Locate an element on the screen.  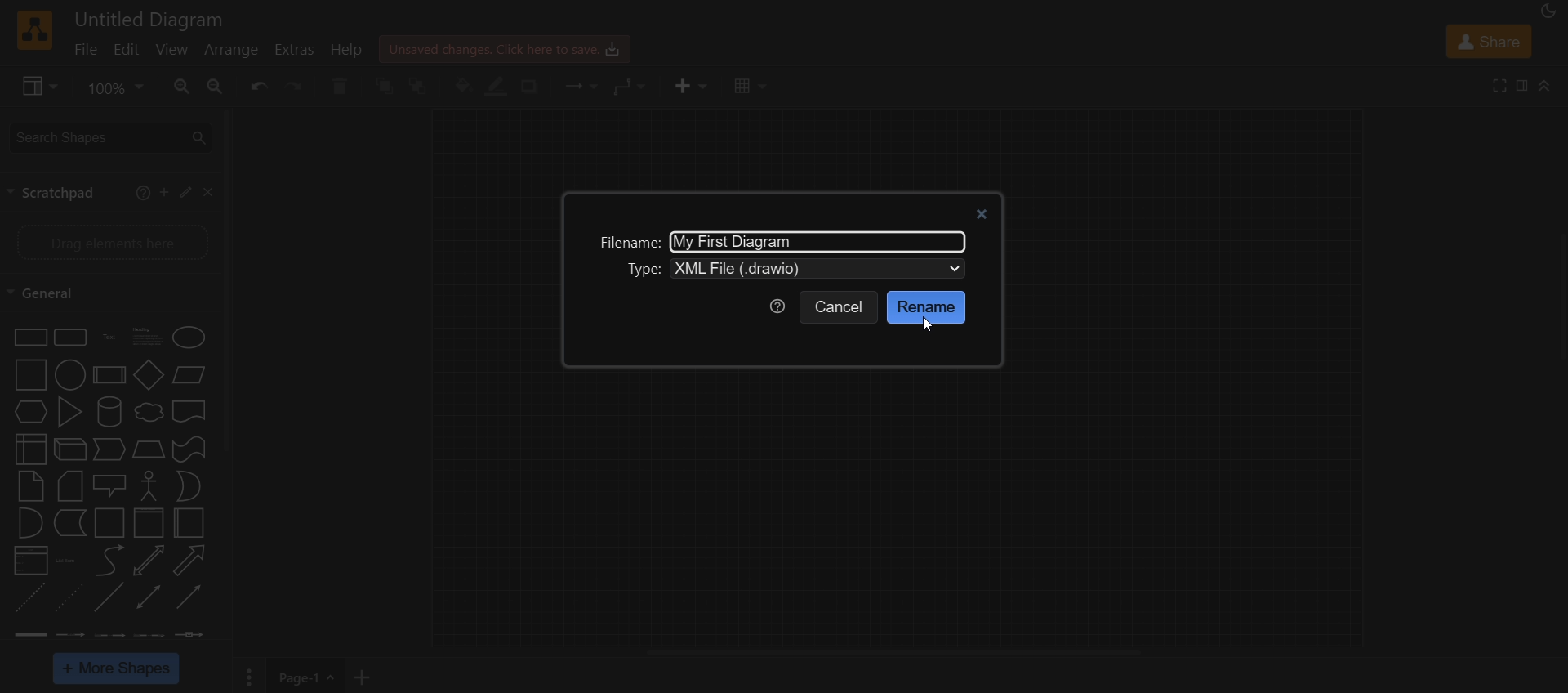
click here to save. is located at coordinates (503, 47).